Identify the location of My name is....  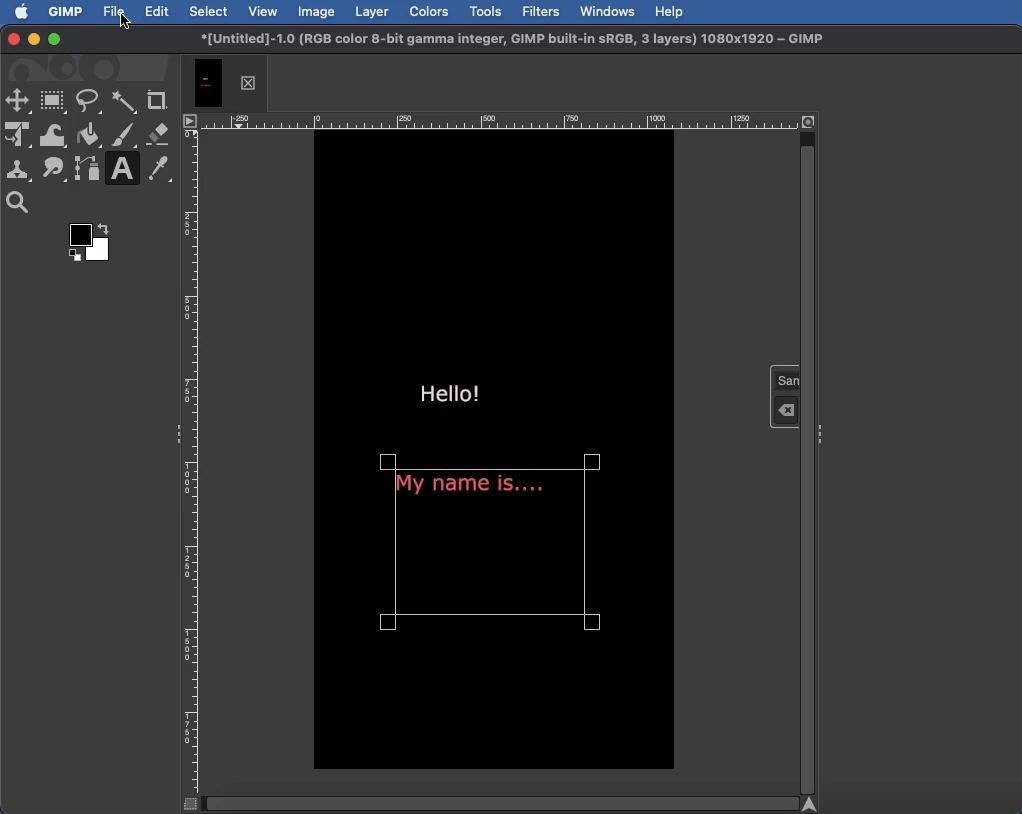
(471, 490).